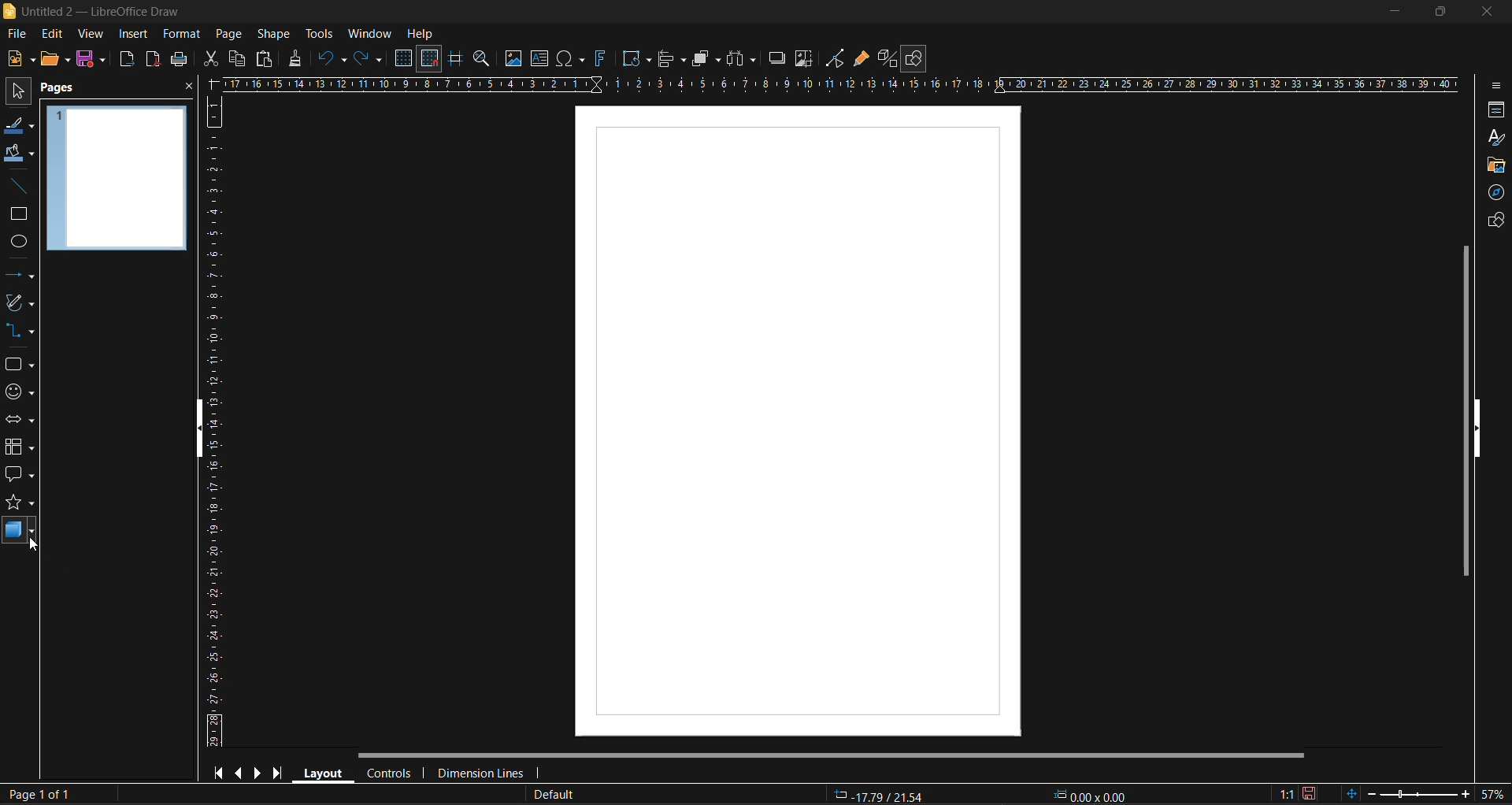  What do you see at coordinates (797, 419) in the screenshot?
I see `working area` at bounding box center [797, 419].